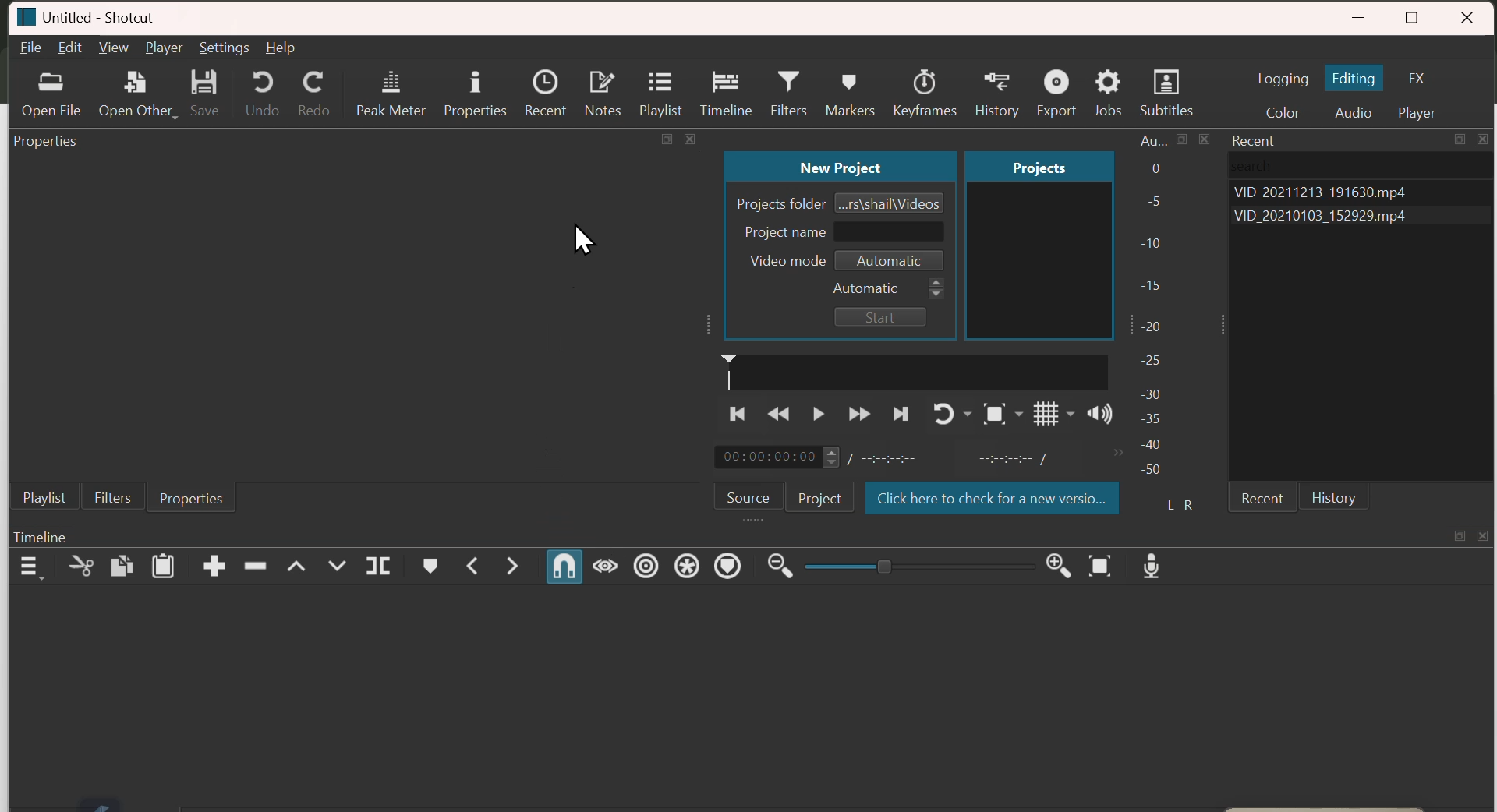 Image resolution: width=1497 pixels, height=812 pixels. What do you see at coordinates (204, 90) in the screenshot?
I see `save` at bounding box center [204, 90].